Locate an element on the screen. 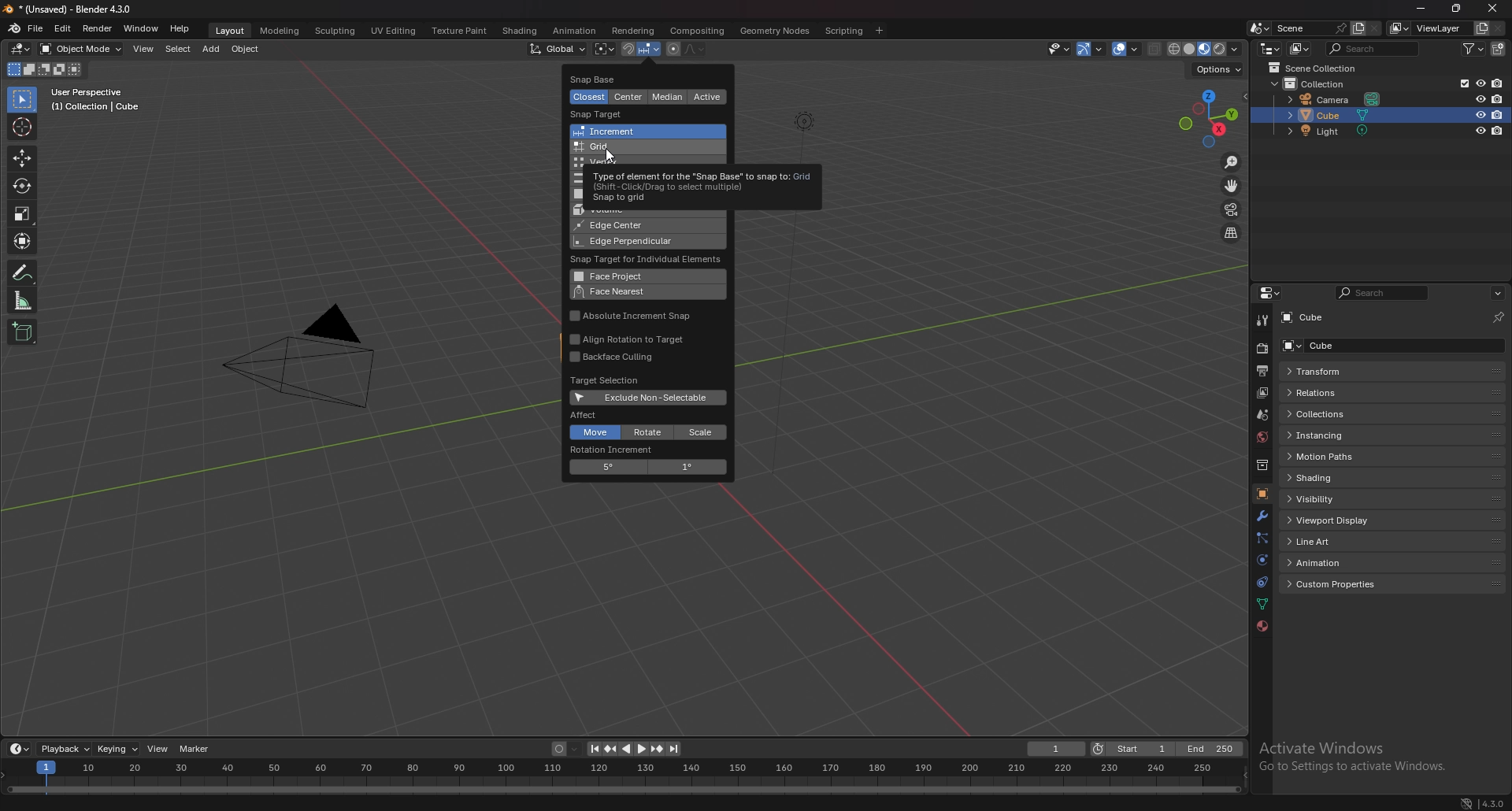  scale is located at coordinates (23, 213).